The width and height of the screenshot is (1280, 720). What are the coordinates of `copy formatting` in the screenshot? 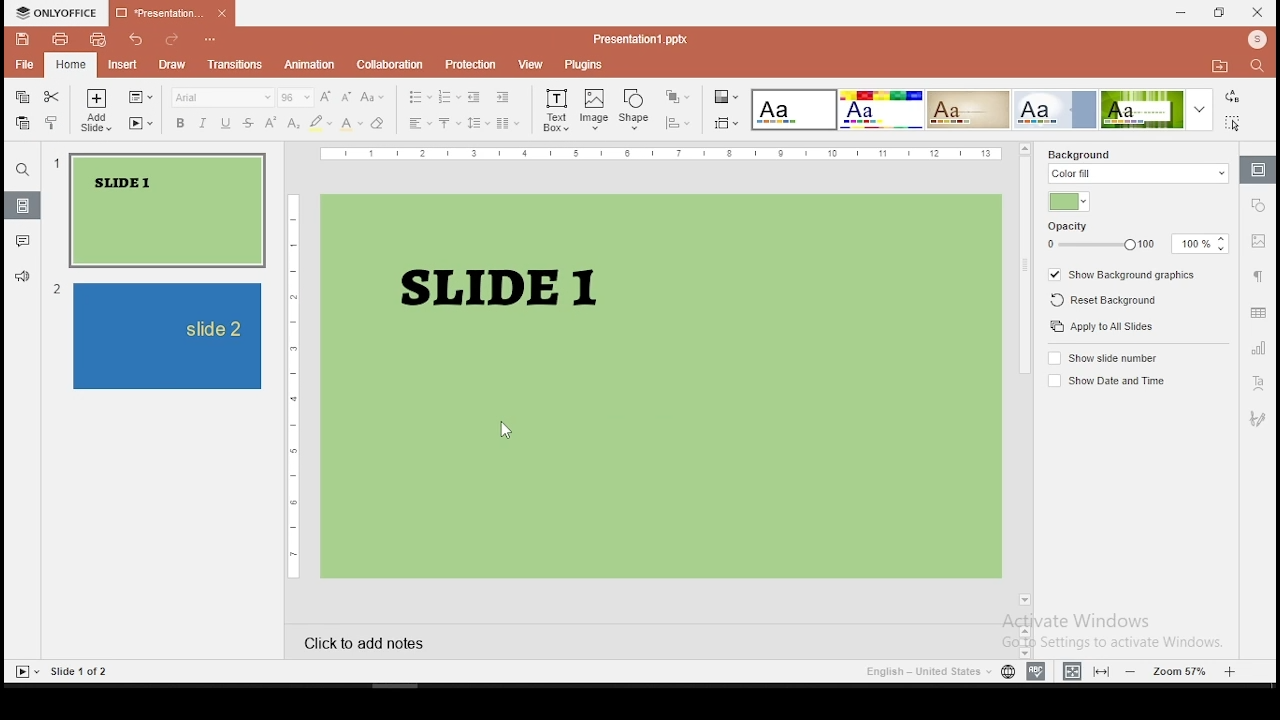 It's located at (53, 121).